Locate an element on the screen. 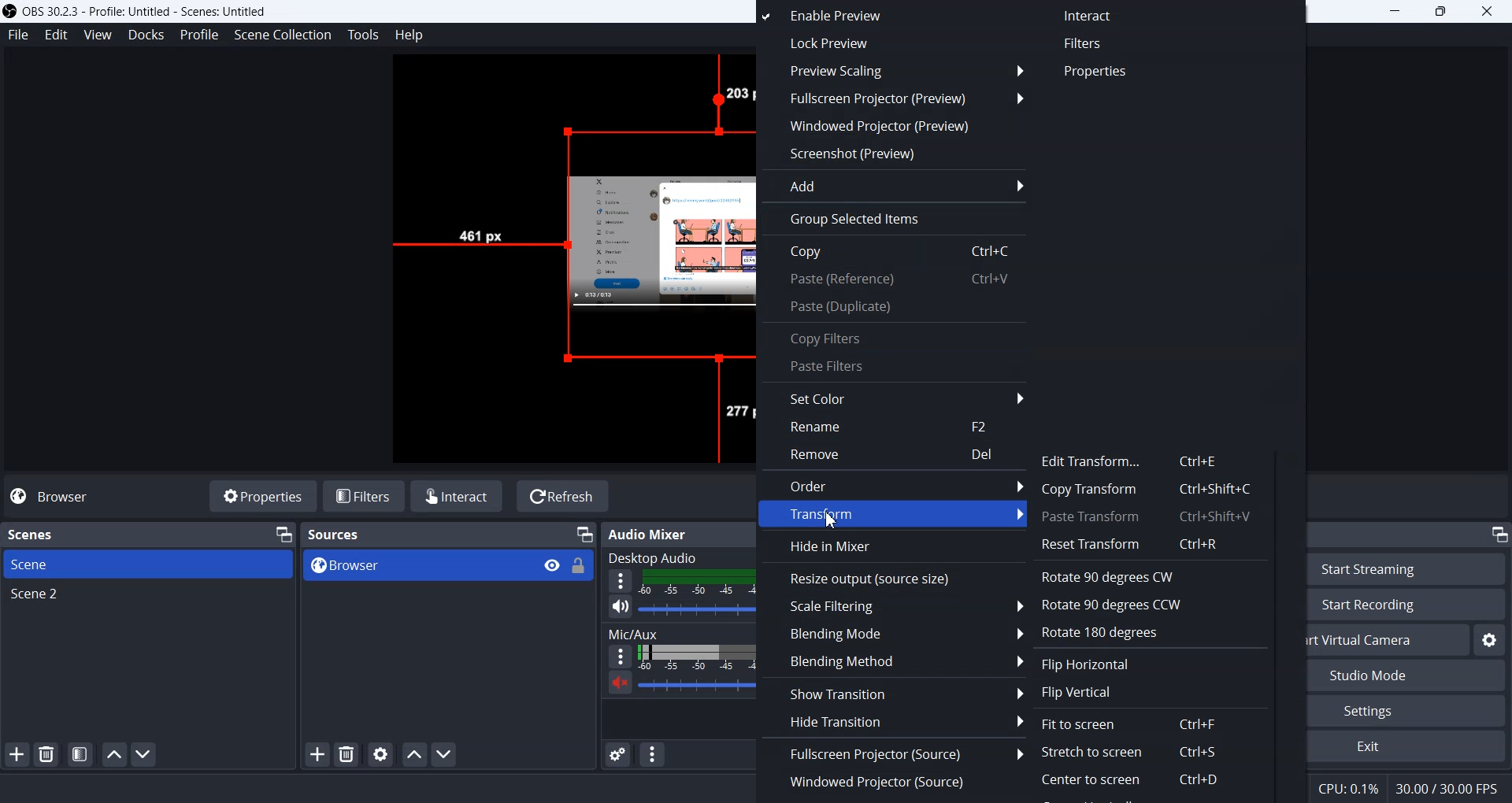 This screenshot has height=803, width=1512. Edit is located at coordinates (54, 35).